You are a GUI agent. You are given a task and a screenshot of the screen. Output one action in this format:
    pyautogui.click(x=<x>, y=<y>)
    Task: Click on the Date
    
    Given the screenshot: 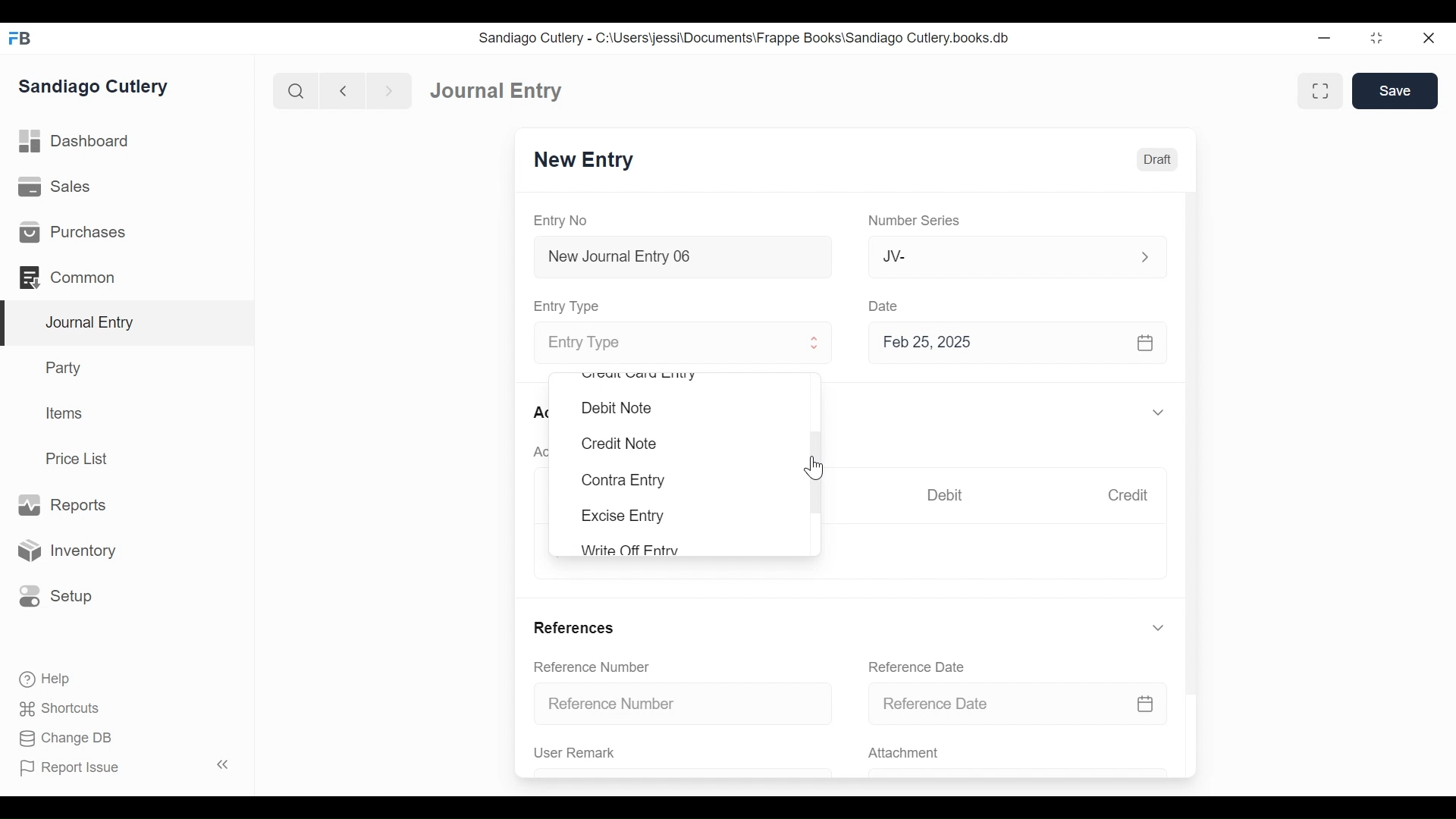 What is the action you would take?
    pyautogui.click(x=884, y=305)
    